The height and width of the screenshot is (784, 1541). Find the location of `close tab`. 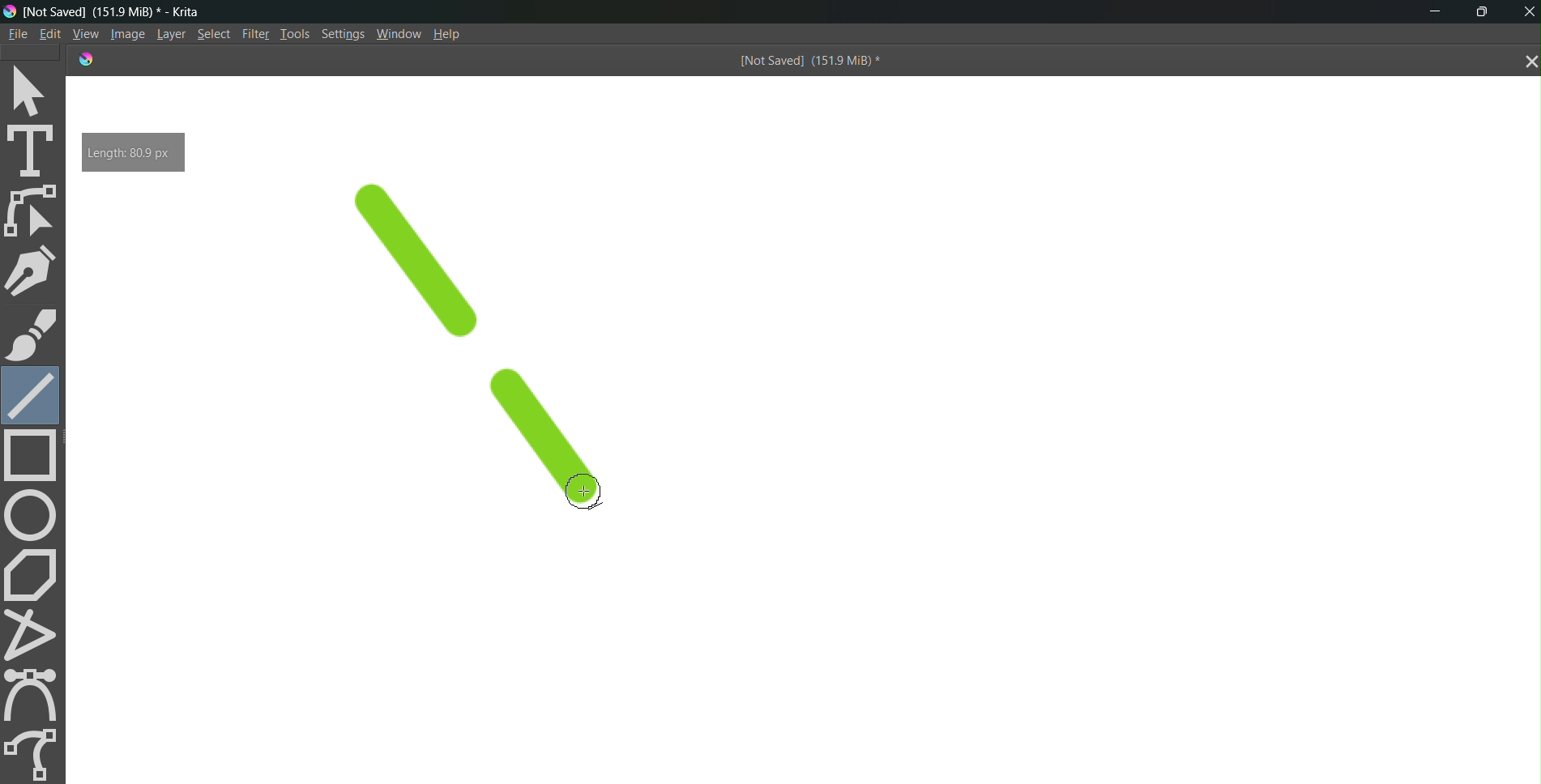

close tab is located at coordinates (1526, 62).